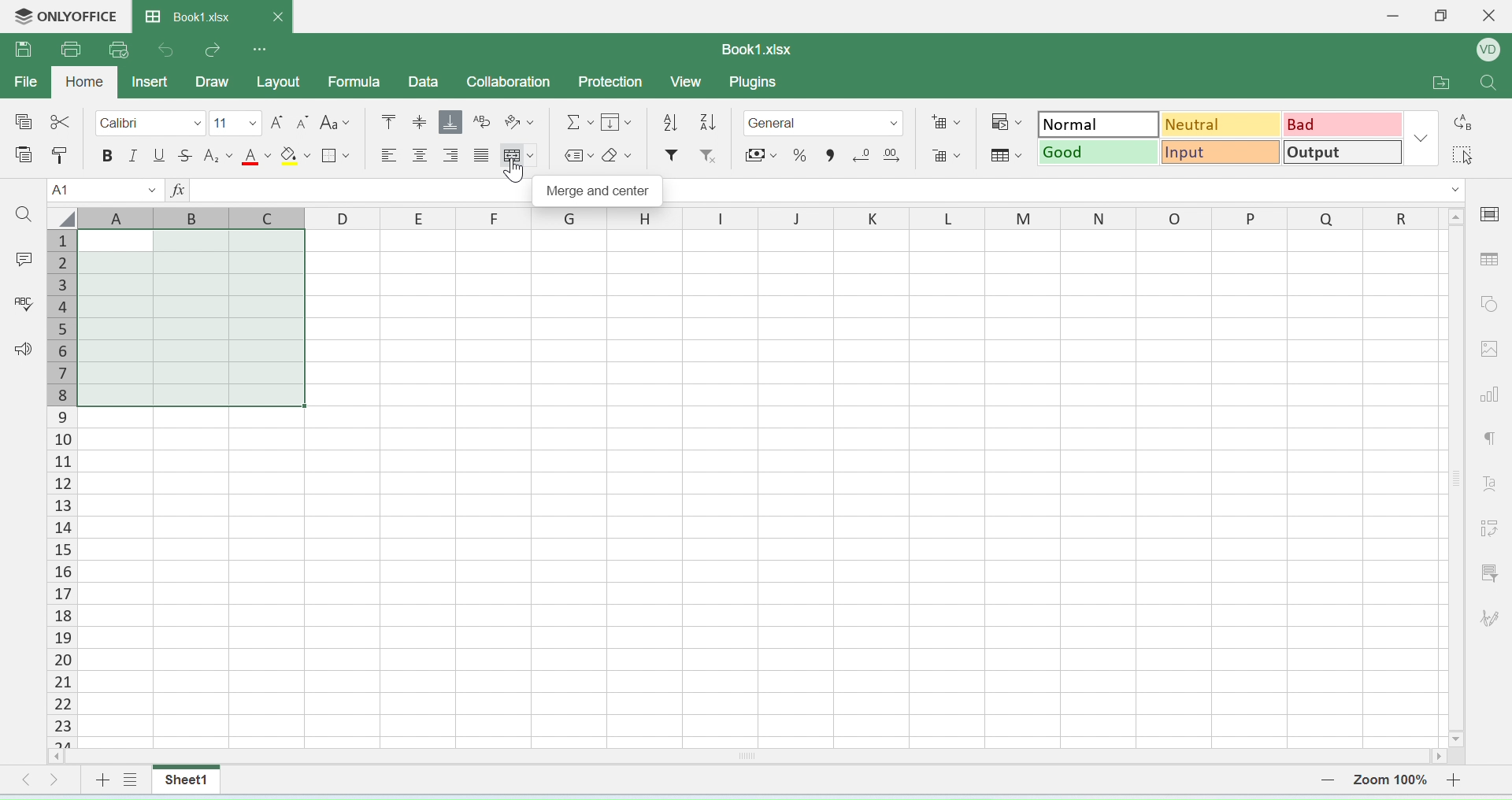 This screenshot has width=1512, height=800. I want to click on bolde, so click(106, 157).